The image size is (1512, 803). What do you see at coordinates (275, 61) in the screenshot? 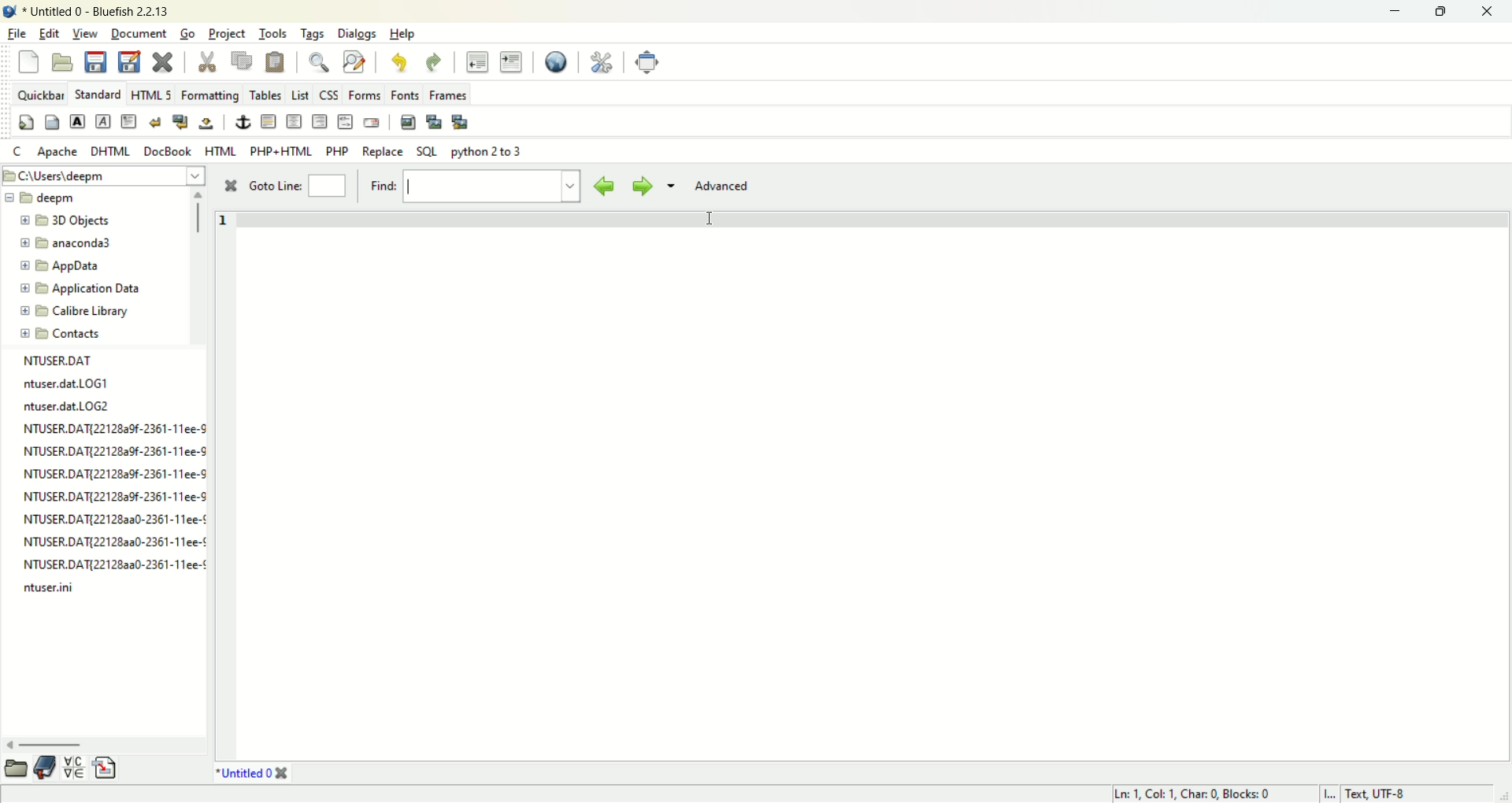
I see `paste` at bounding box center [275, 61].